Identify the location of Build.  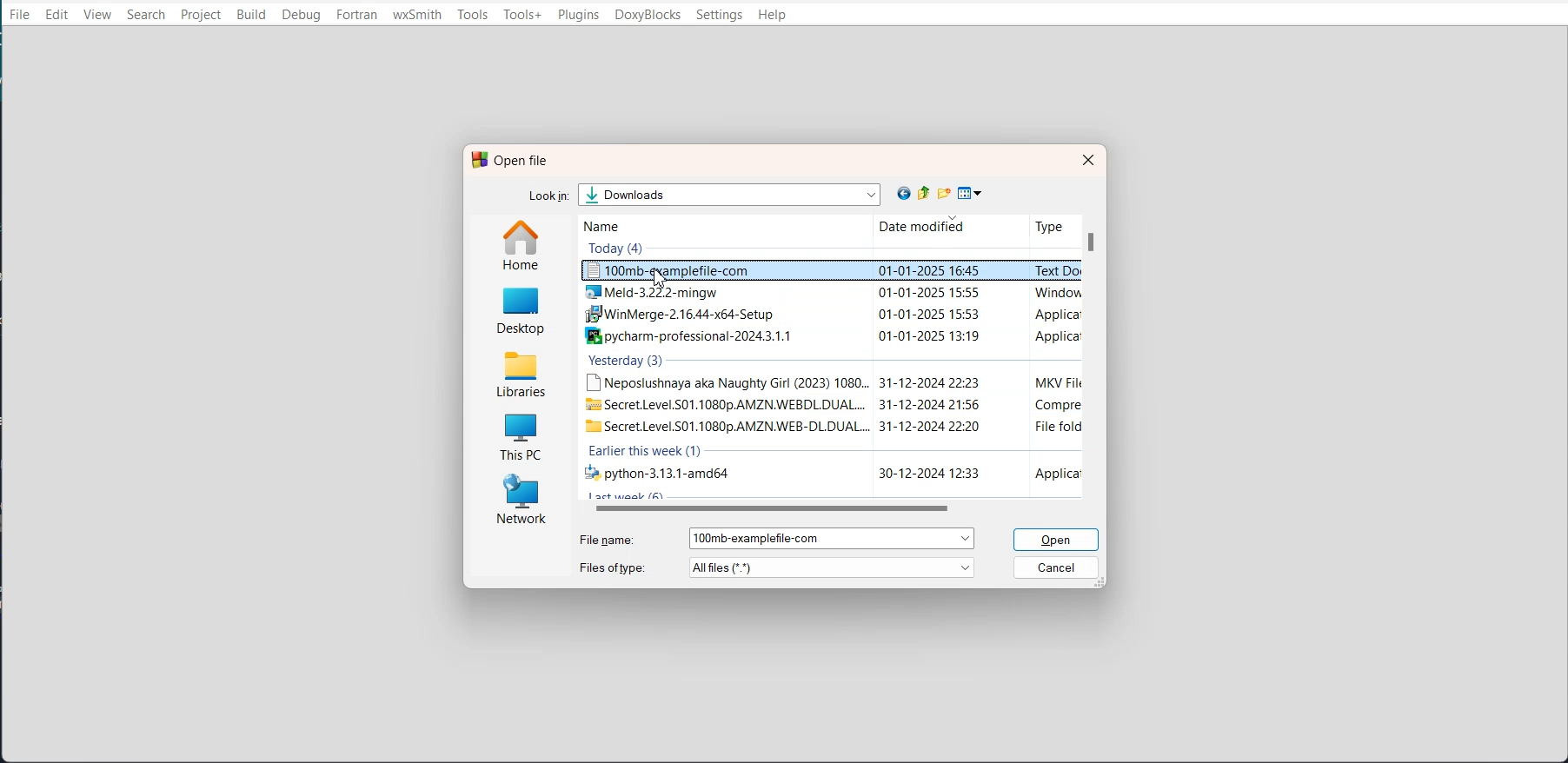
(252, 15).